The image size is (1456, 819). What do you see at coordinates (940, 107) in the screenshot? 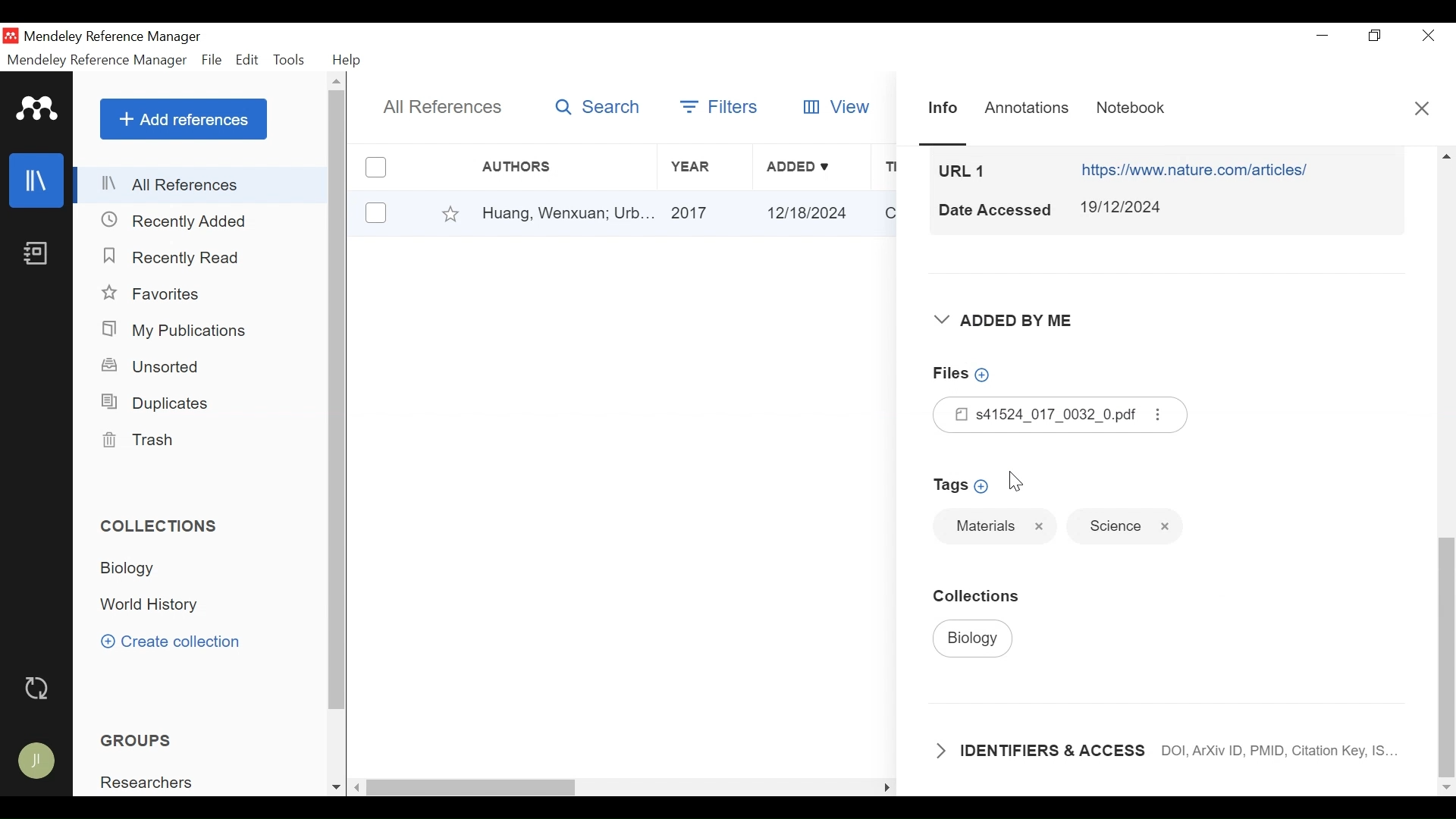
I see `Information` at bounding box center [940, 107].